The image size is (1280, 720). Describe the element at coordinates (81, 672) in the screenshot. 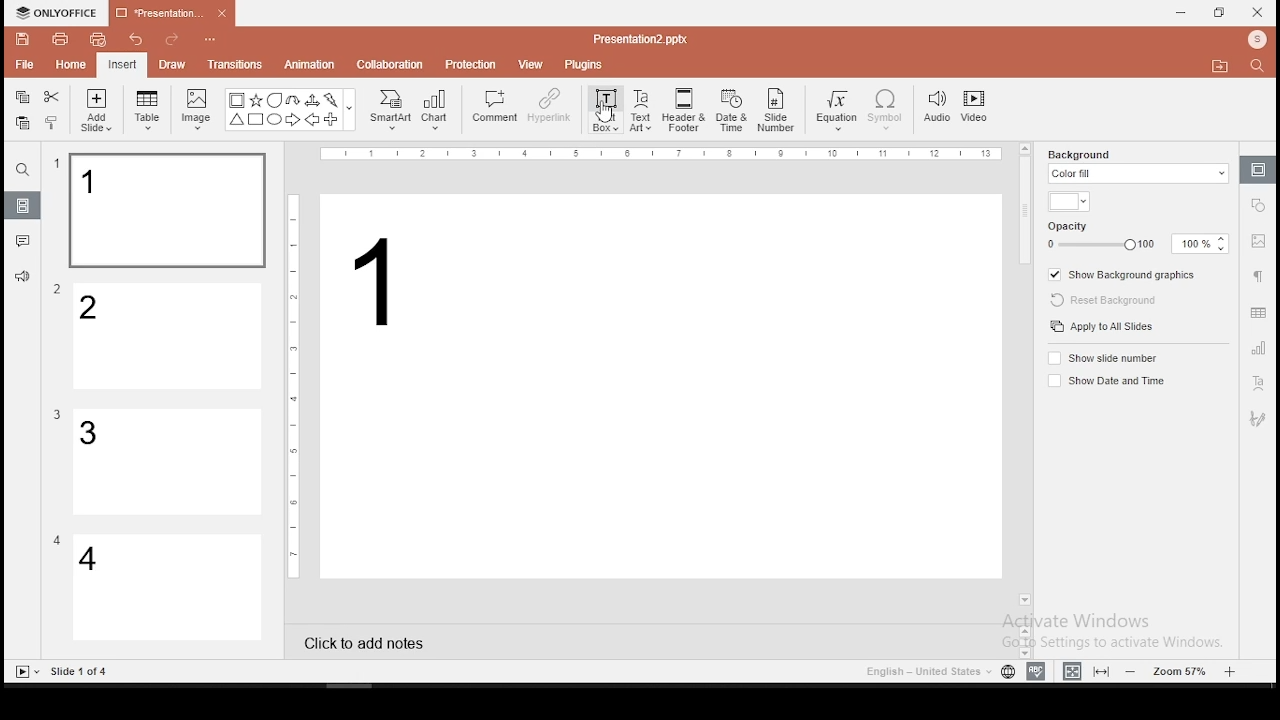

I see `` at that location.